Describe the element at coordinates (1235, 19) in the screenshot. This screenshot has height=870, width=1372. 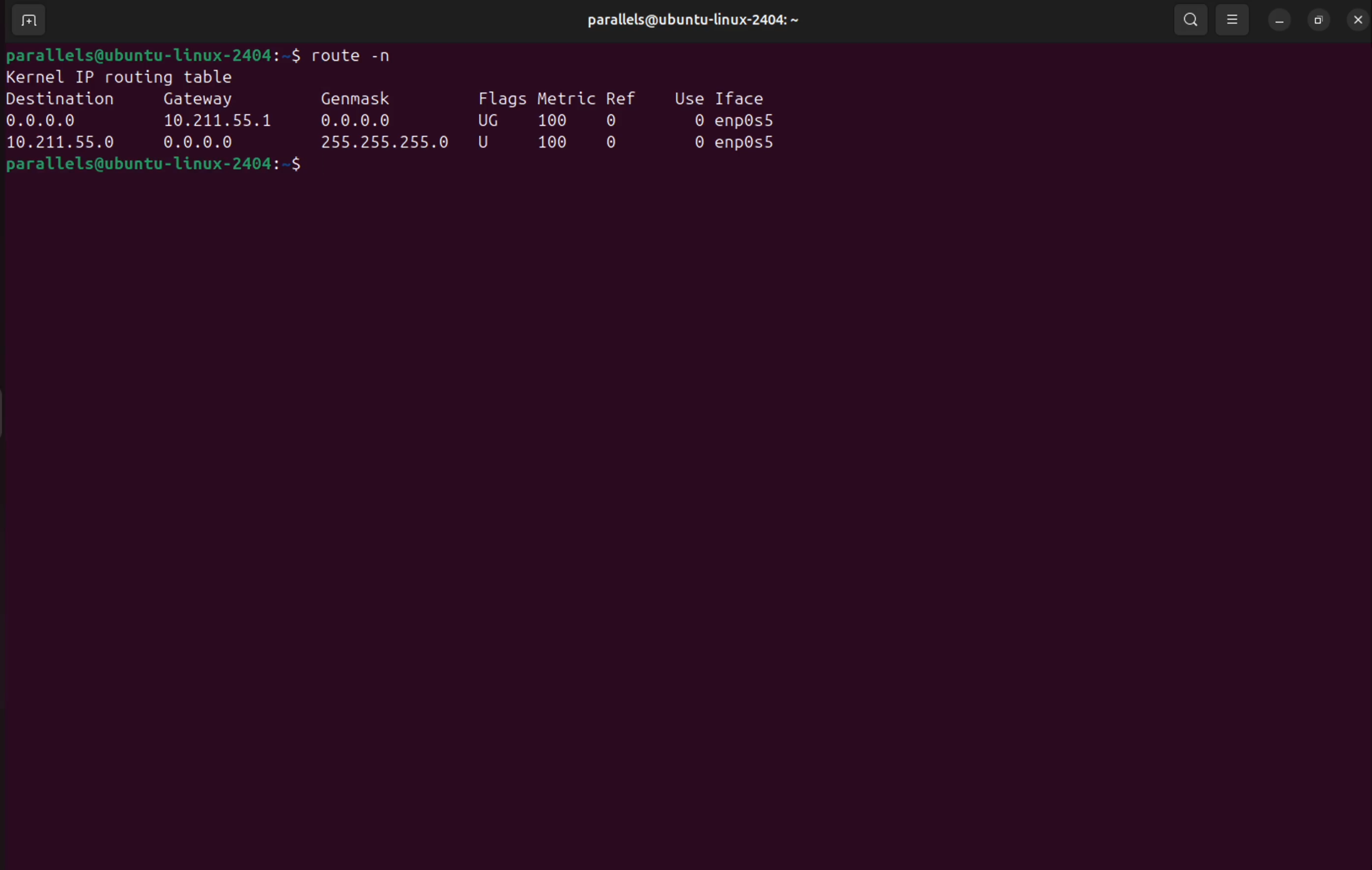
I see `view options` at that location.